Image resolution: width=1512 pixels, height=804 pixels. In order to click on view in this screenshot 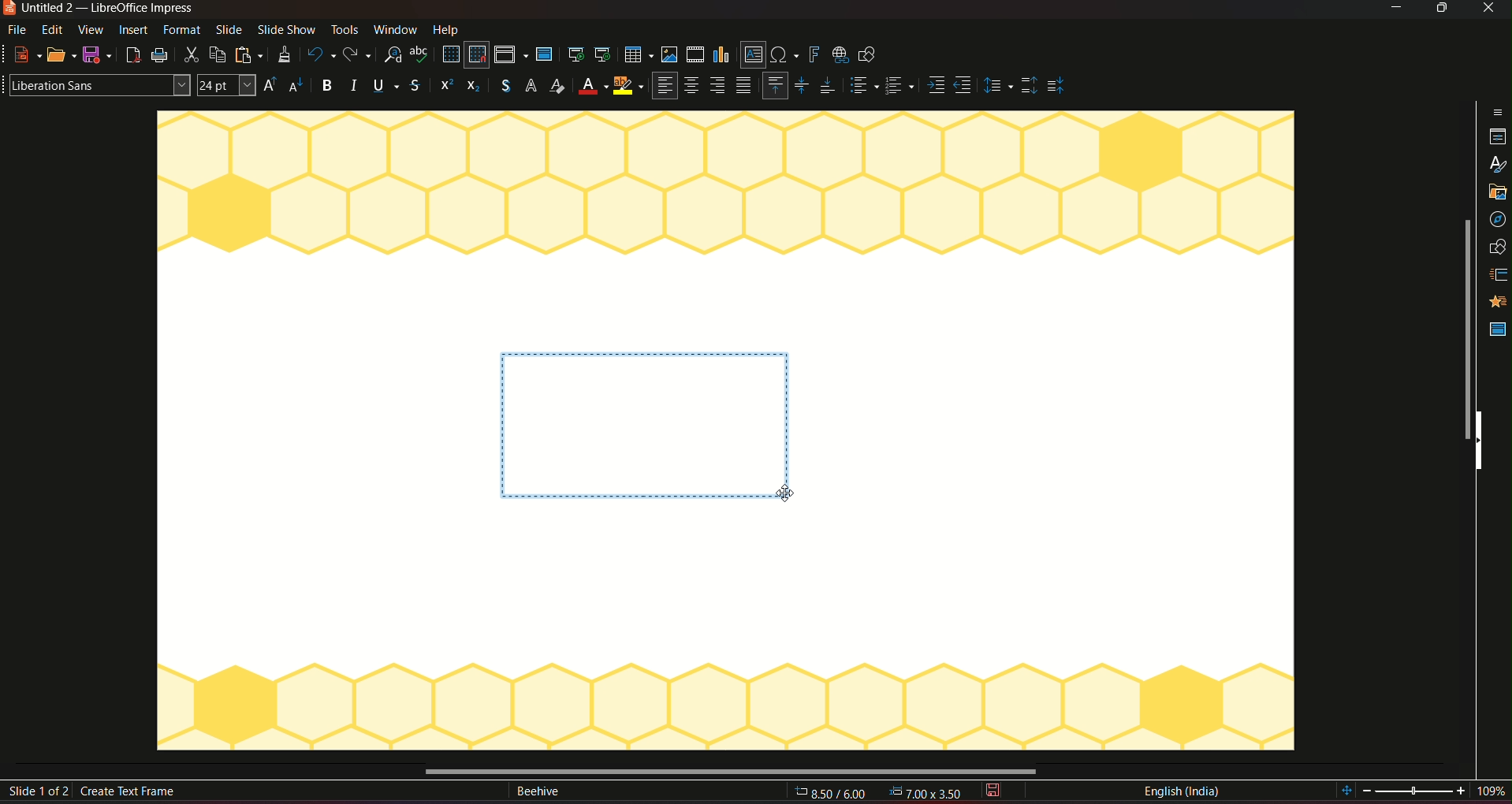, I will do `click(91, 30)`.